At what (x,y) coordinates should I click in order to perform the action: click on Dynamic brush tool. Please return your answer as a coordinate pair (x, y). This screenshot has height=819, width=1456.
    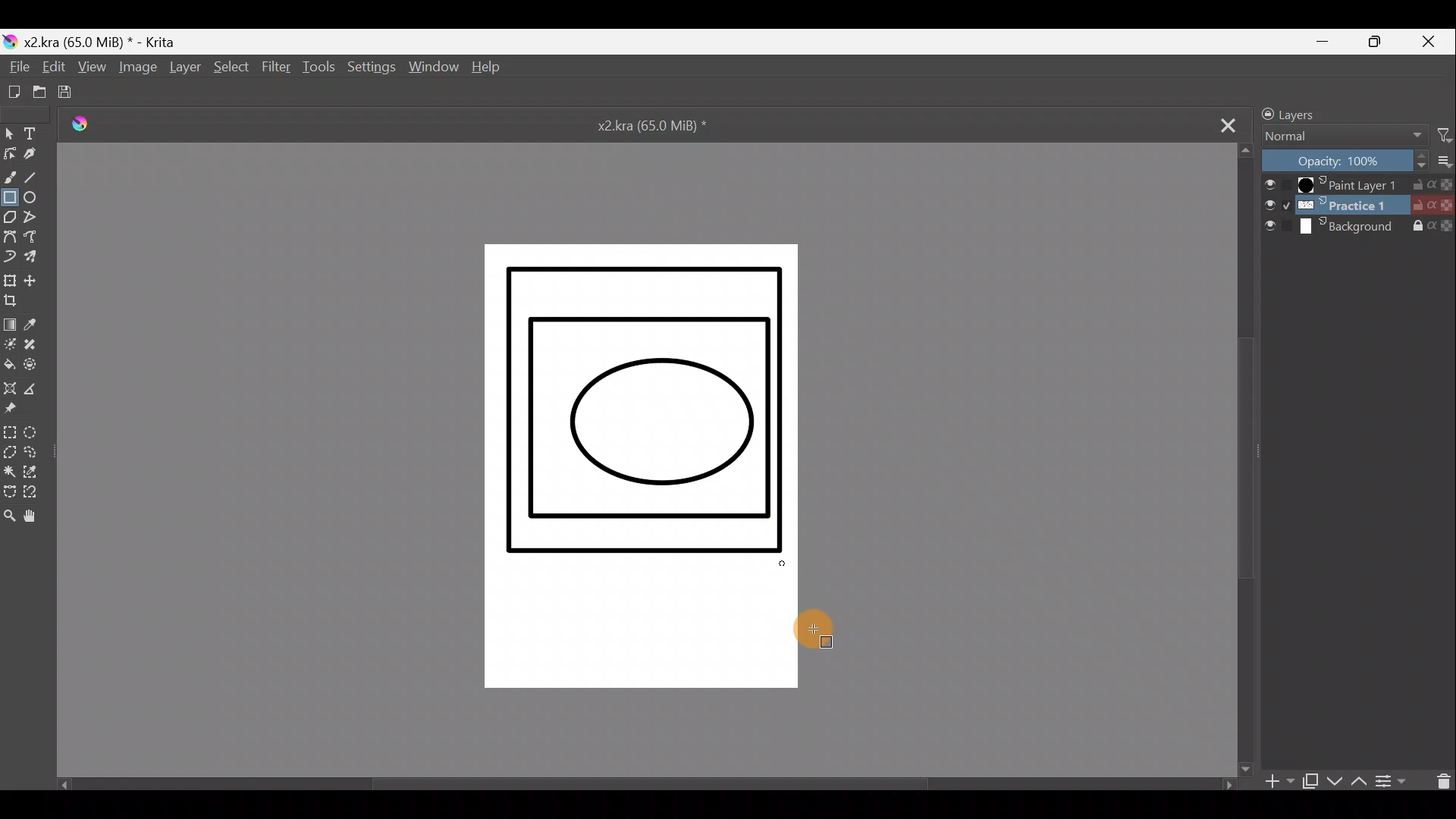
    Looking at the image, I should click on (10, 257).